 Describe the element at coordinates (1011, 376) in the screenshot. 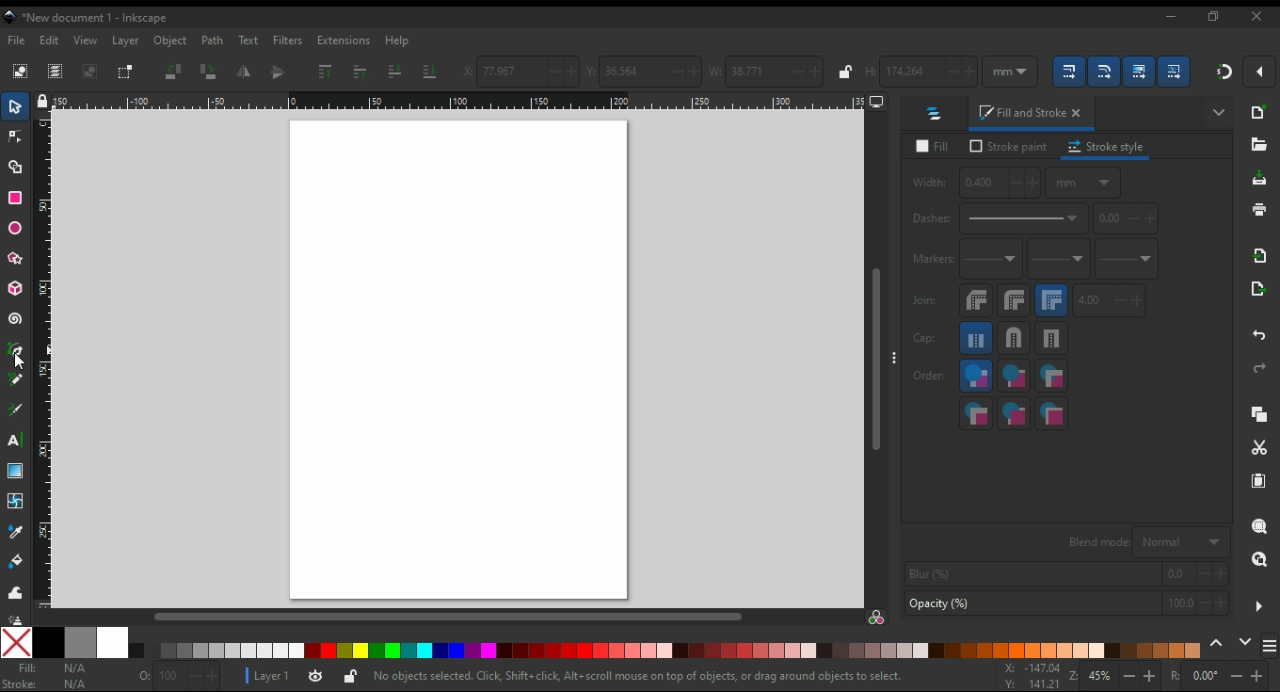

I see `stroke, fill, markers` at that location.